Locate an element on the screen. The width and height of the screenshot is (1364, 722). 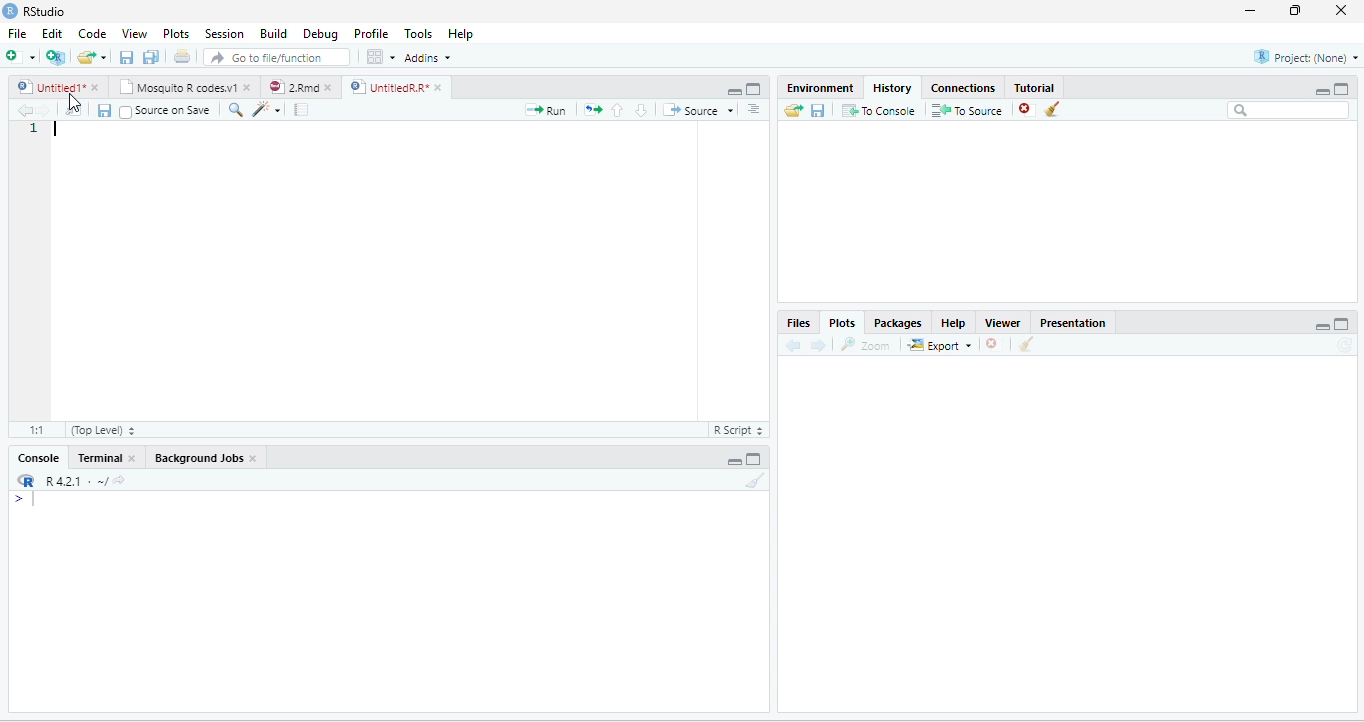
R 4.2.1 . ~/ is located at coordinates (75, 481).